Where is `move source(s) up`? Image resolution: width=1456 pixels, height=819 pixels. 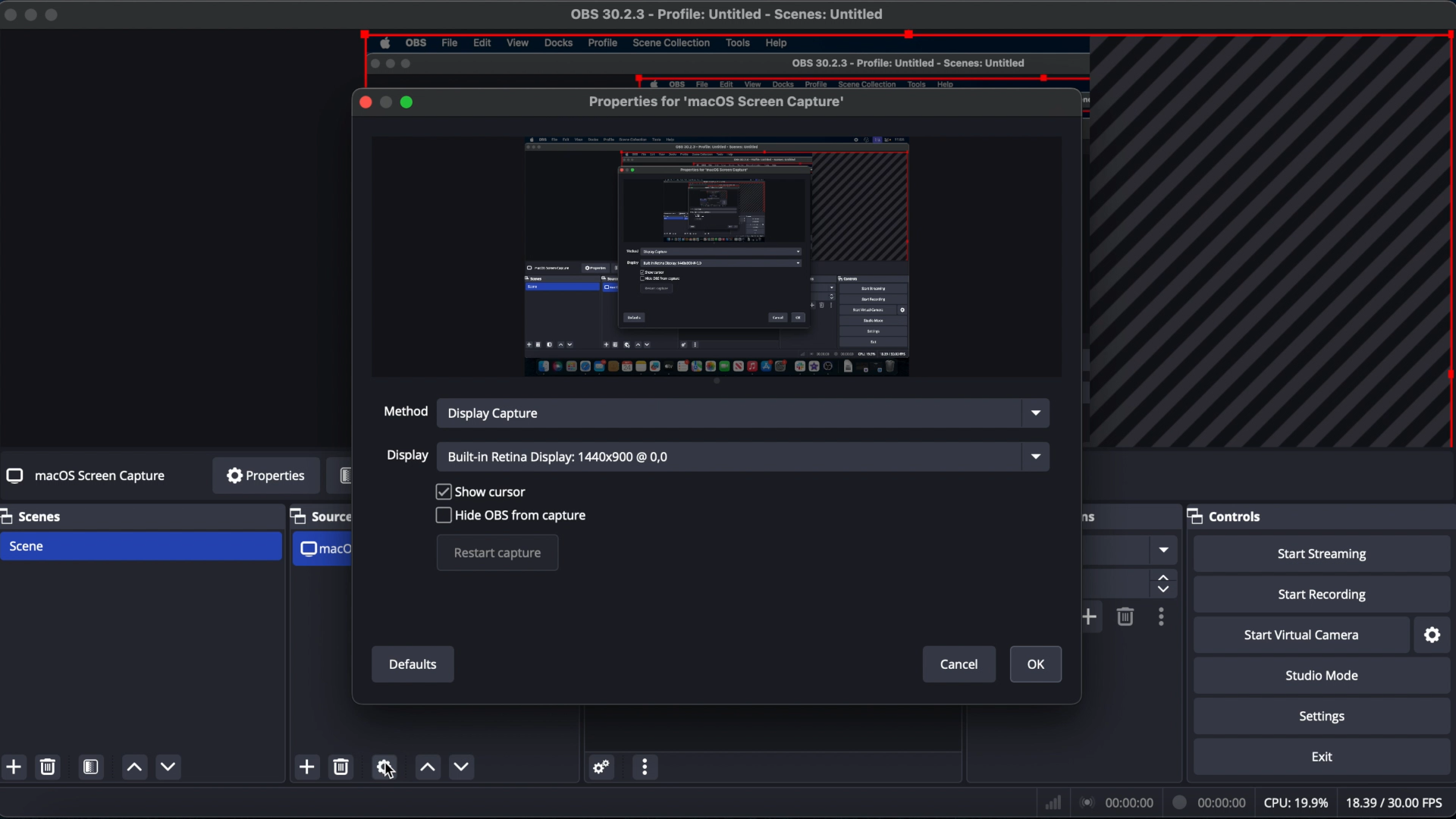
move source(s) up is located at coordinates (462, 767).